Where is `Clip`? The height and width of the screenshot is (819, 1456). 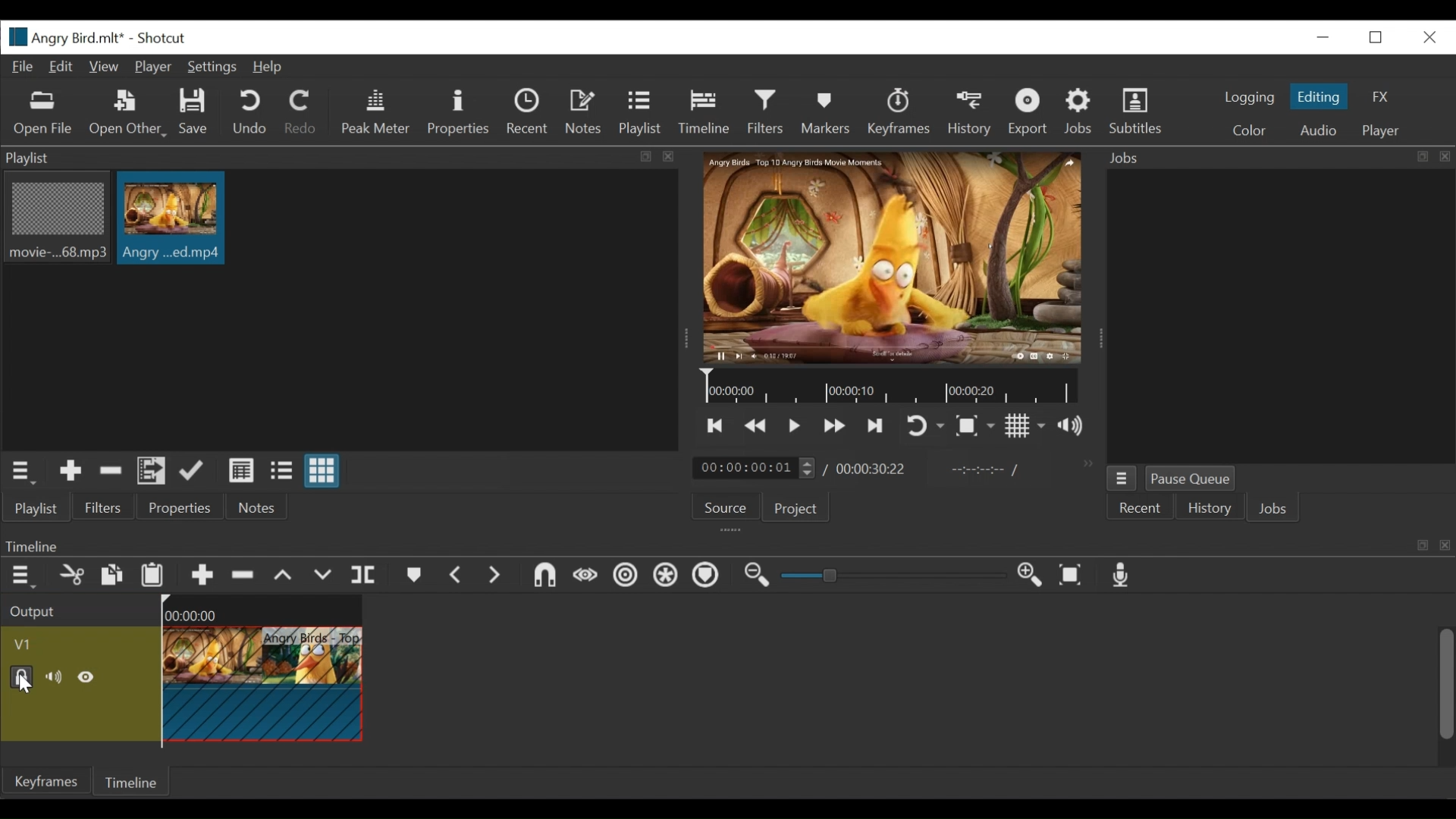
Clip is located at coordinates (55, 219).